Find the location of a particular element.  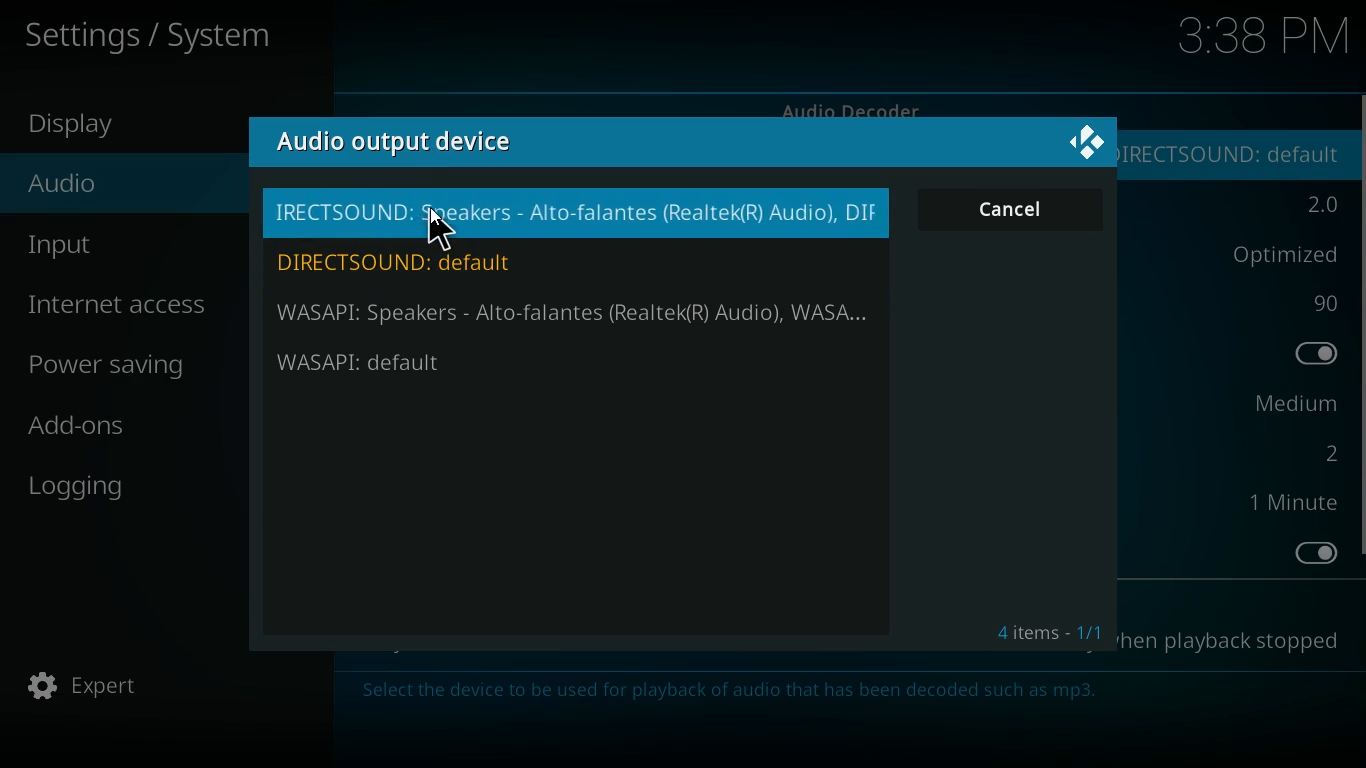

option is located at coordinates (1290, 405).